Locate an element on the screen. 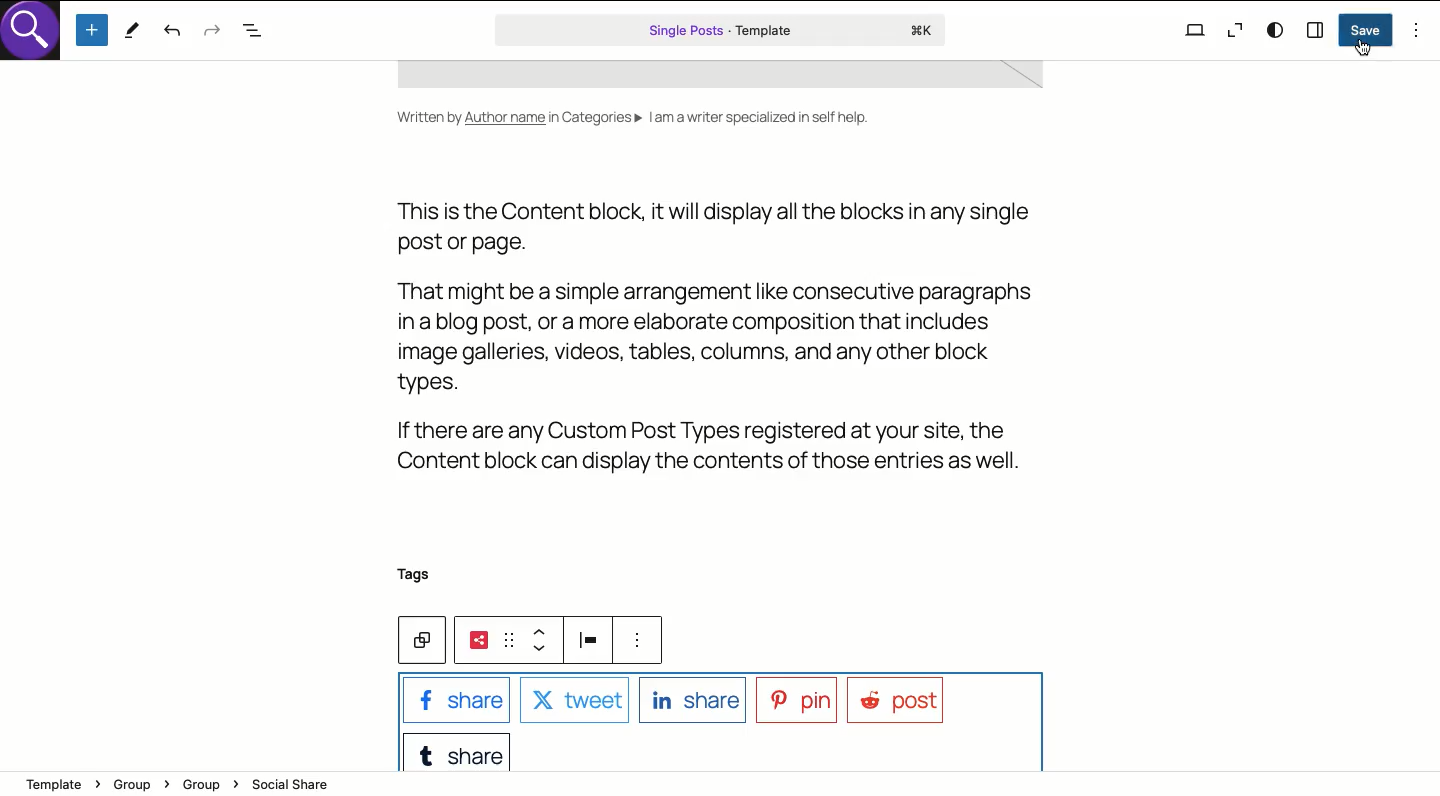 This screenshot has width=1440, height=796. Tags is located at coordinates (415, 574).